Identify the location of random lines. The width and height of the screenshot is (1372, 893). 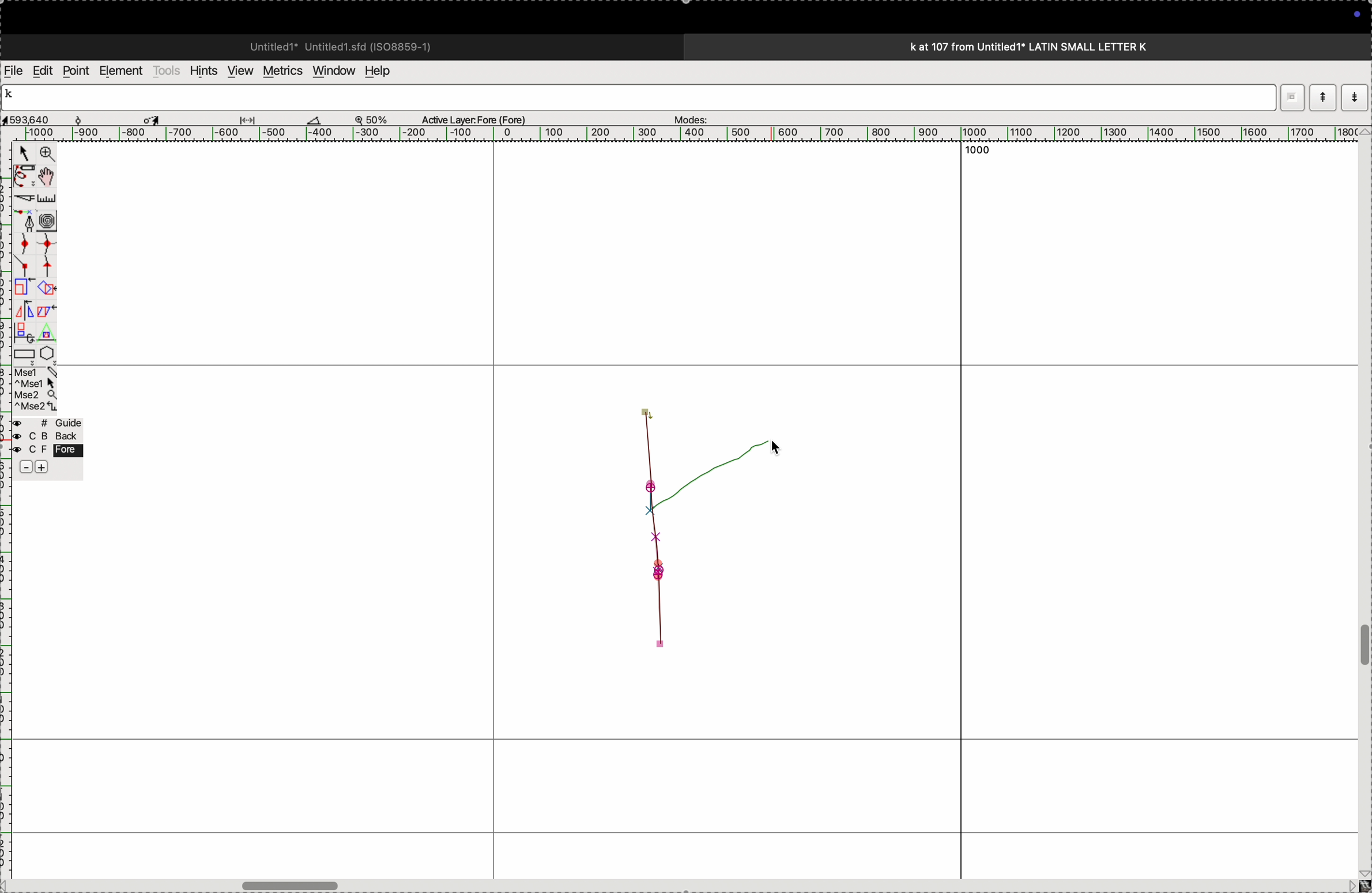
(683, 527).